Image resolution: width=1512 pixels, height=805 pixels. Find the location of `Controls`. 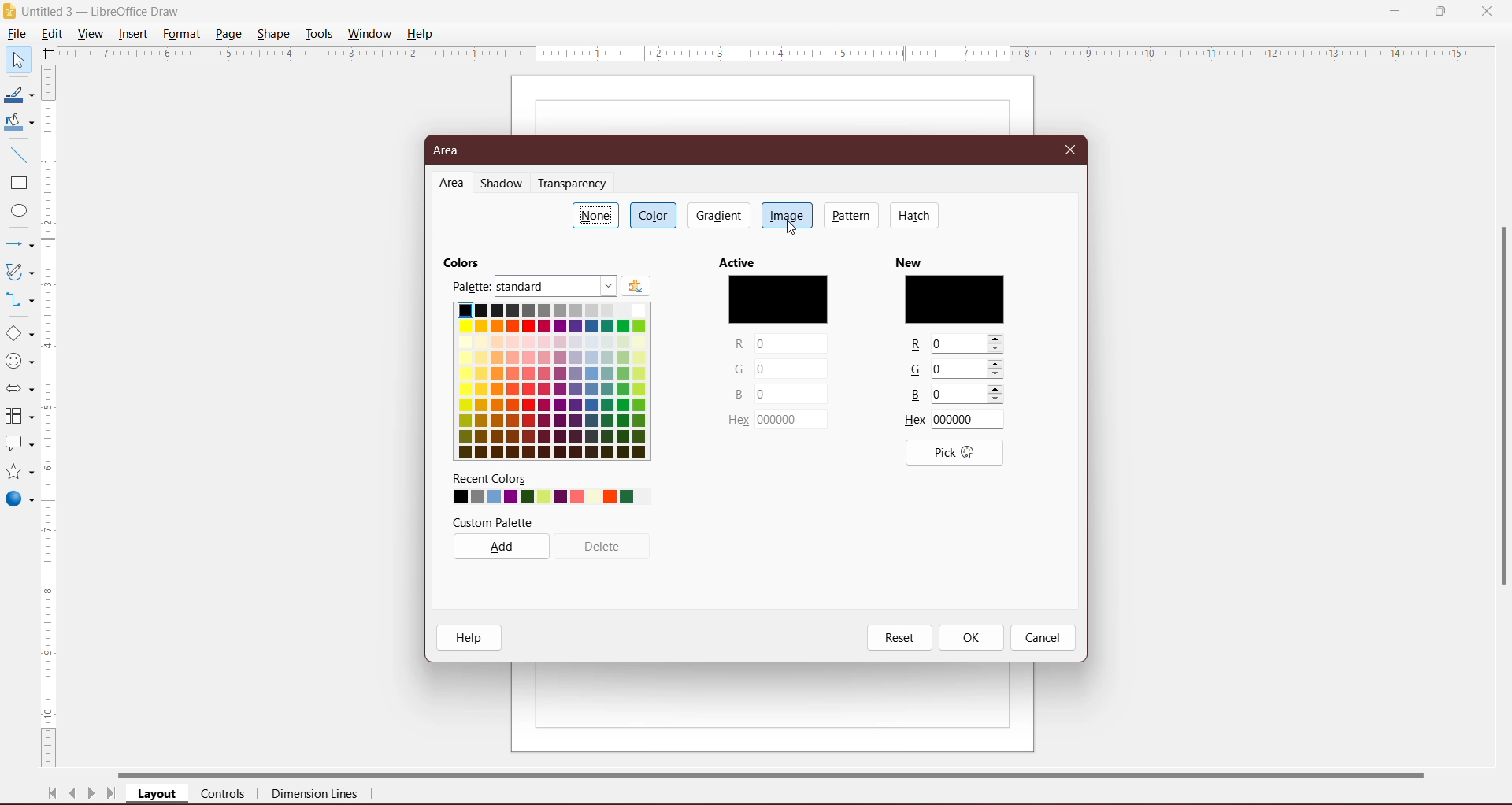

Controls is located at coordinates (228, 795).